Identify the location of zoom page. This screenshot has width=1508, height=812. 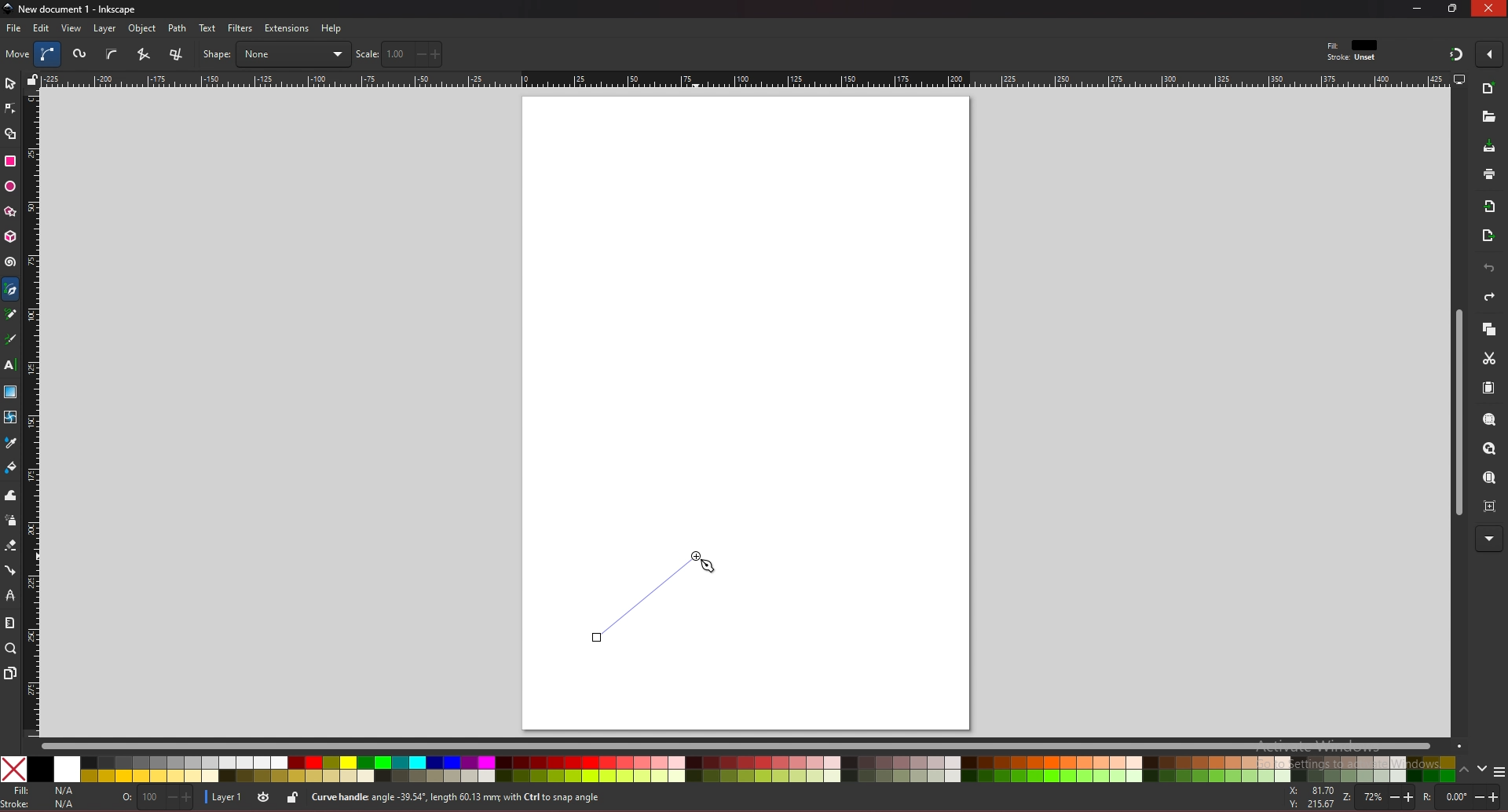
(1488, 479).